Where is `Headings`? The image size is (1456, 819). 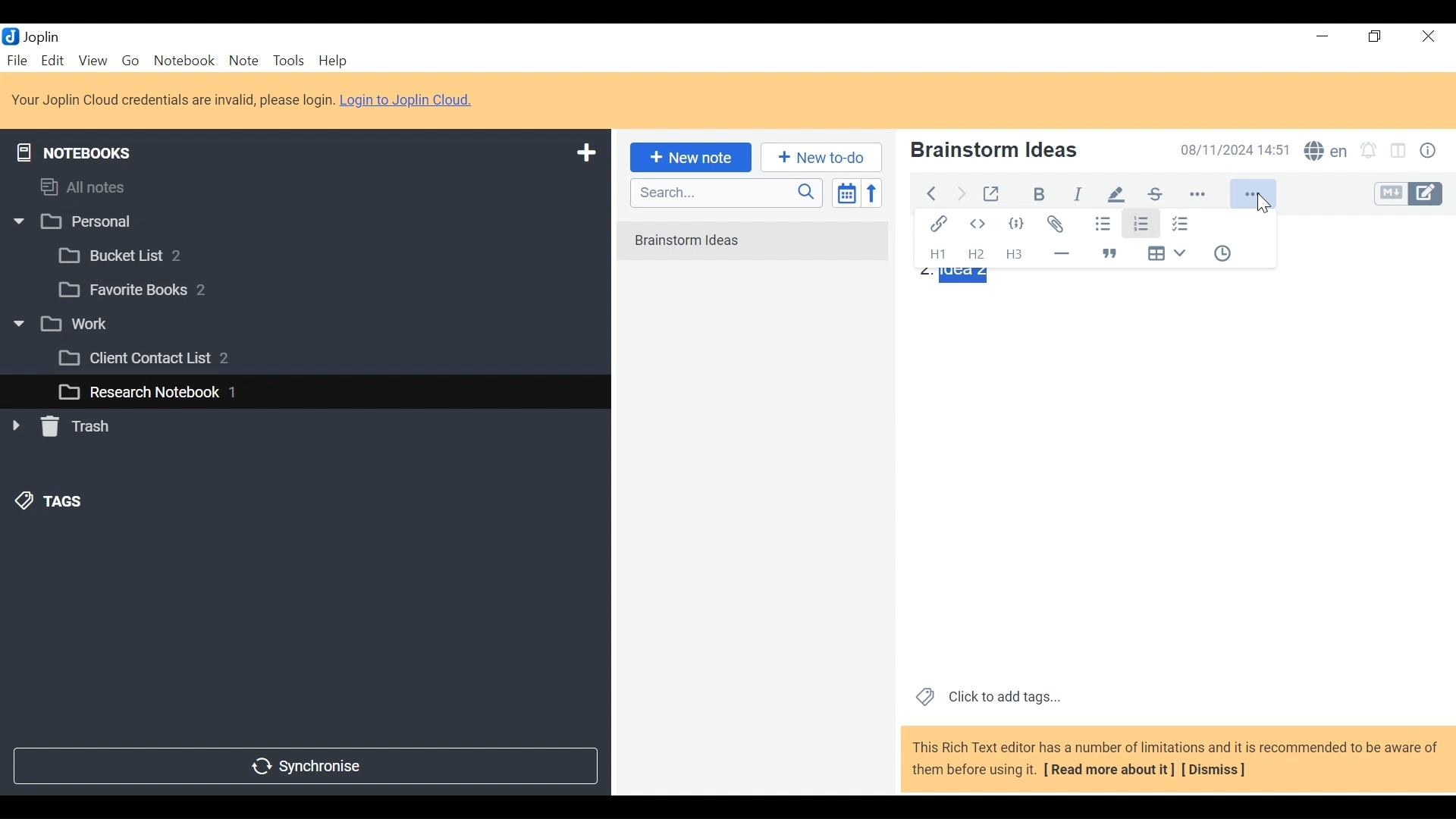
Headings is located at coordinates (940, 255).